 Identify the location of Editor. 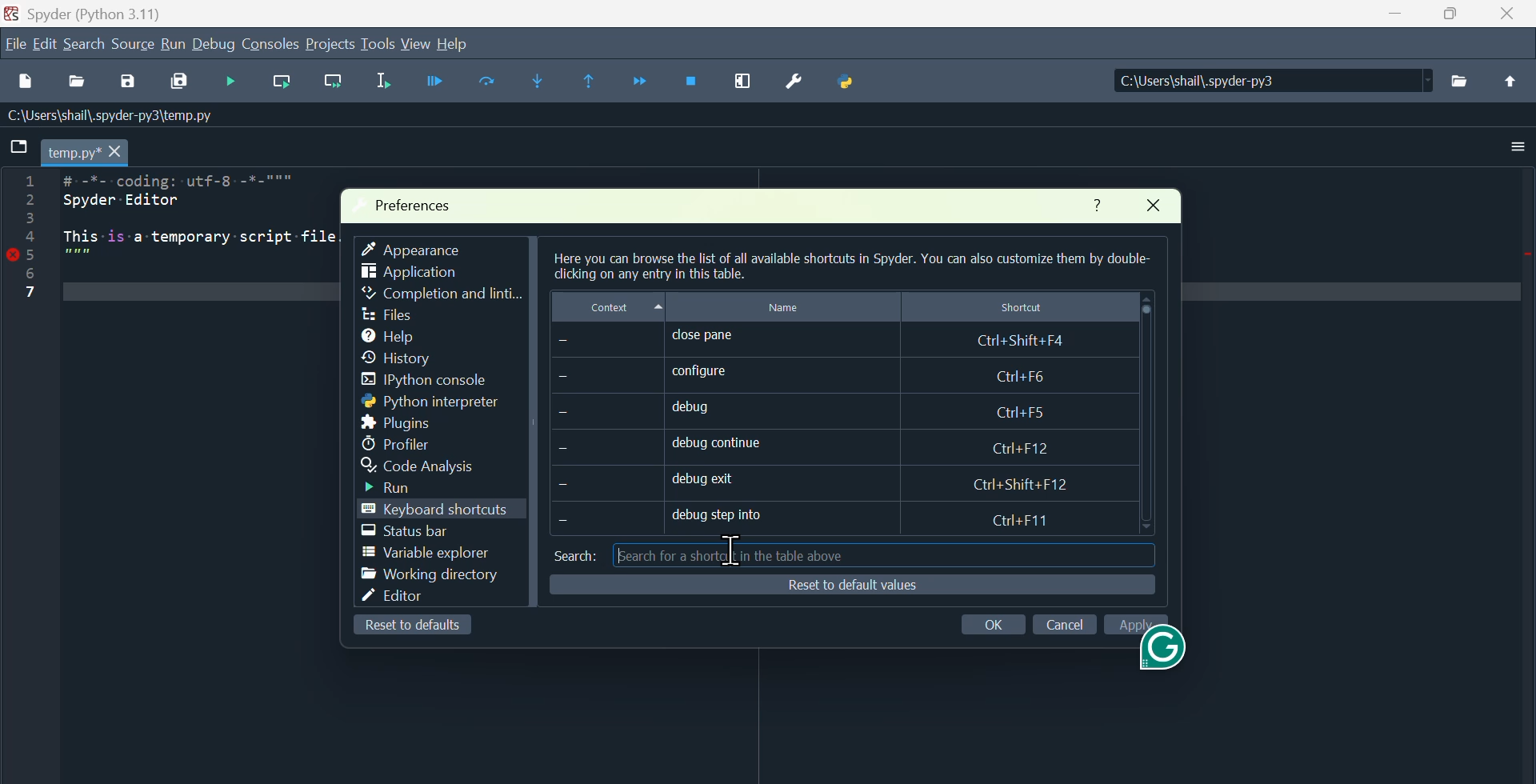
(402, 595).